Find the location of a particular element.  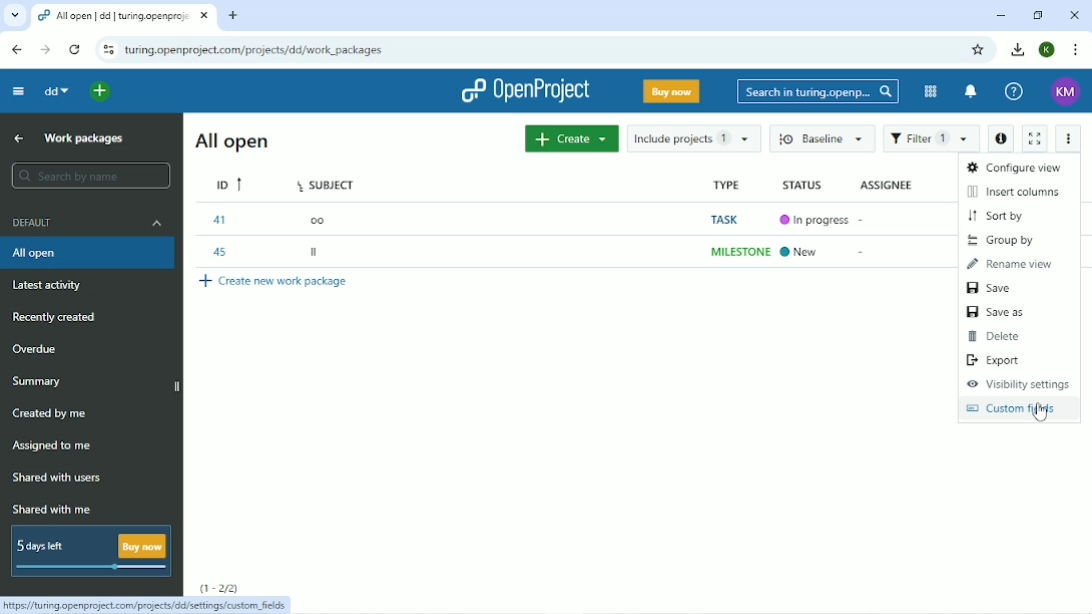

OpenProject is located at coordinates (525, 91).